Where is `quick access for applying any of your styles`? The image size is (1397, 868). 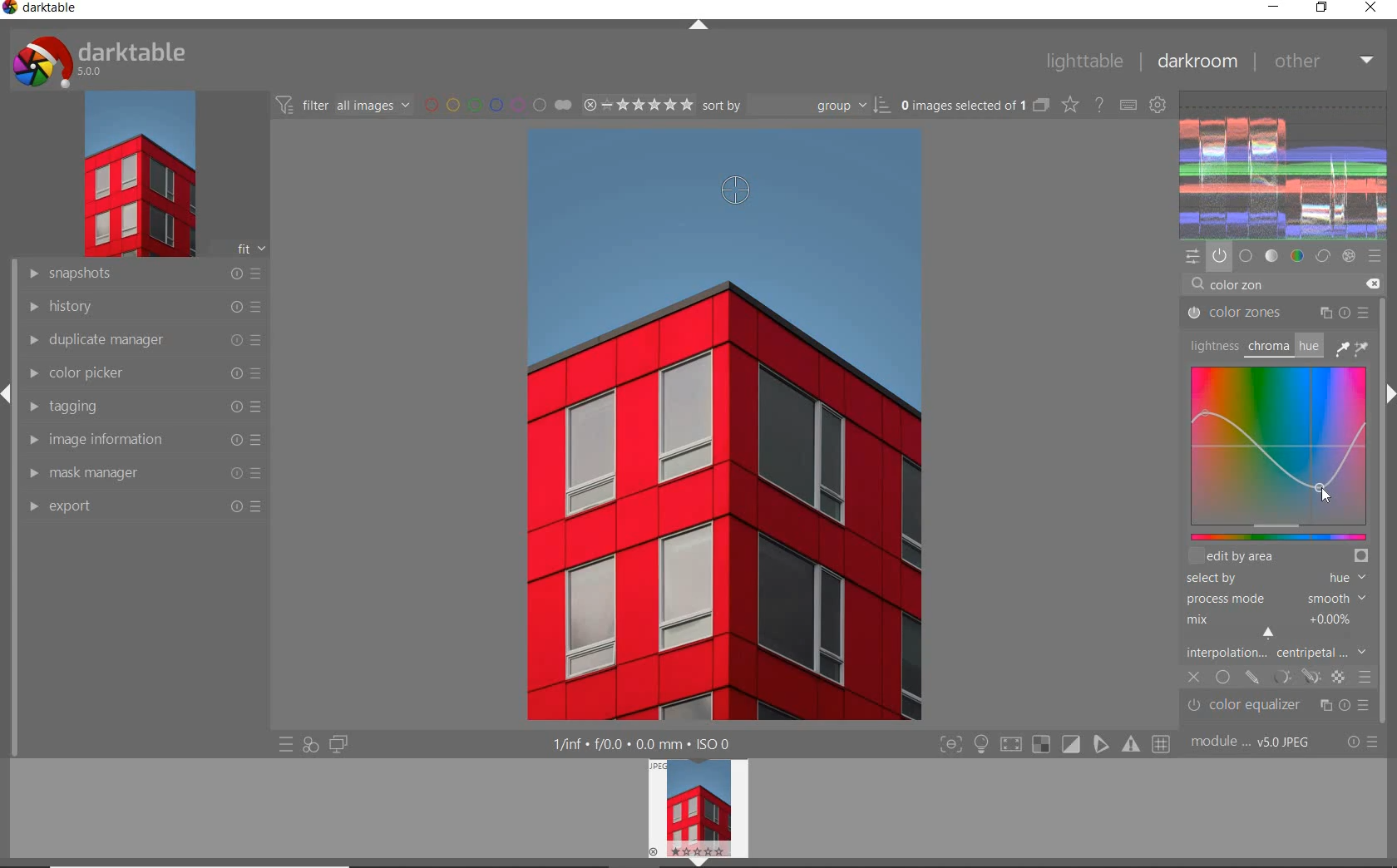 quick access for applying any of your styles is located at coordinates (311, 744).